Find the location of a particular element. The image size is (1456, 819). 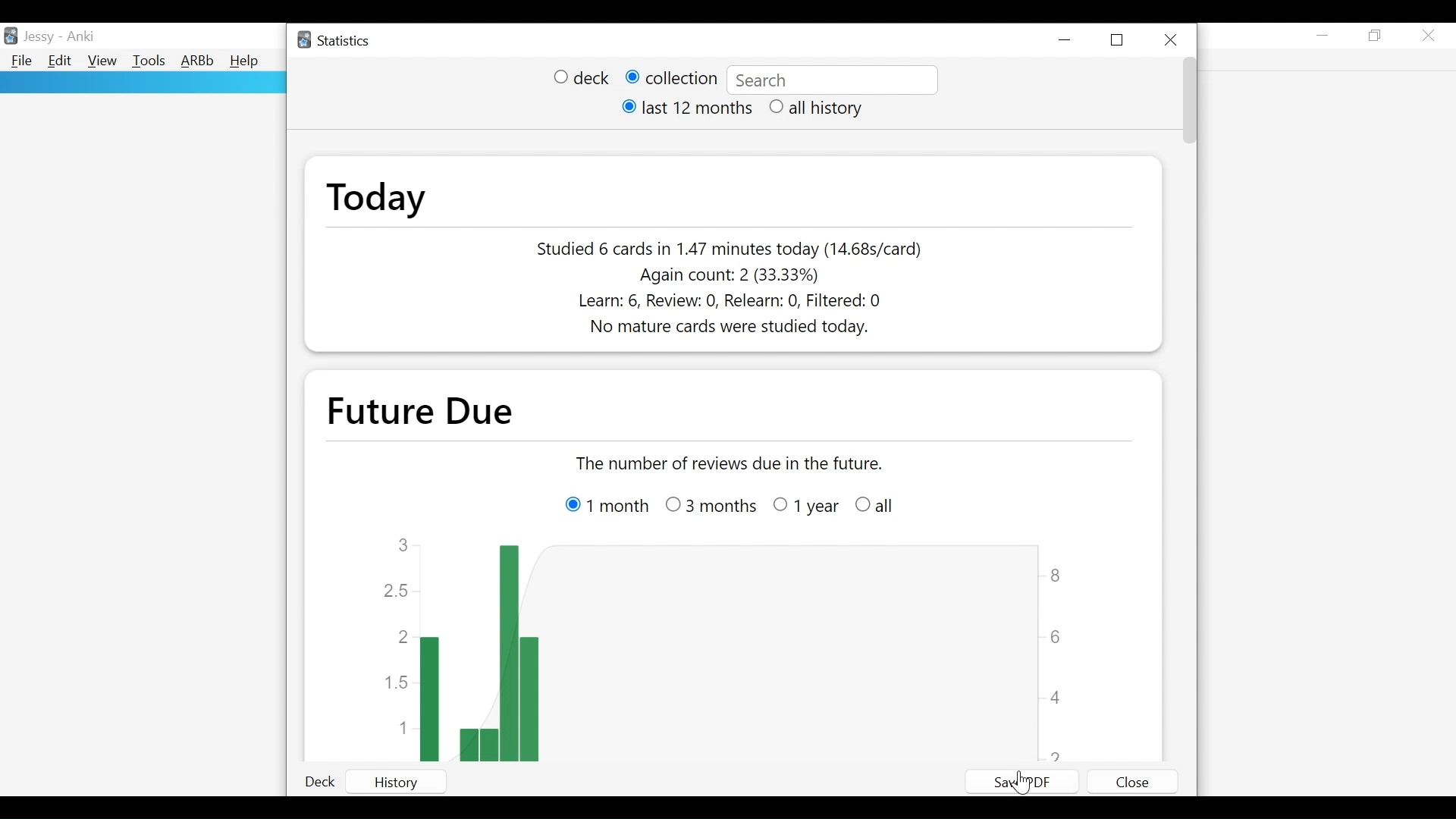

(un)select deck is located at coordinates (581, 79).